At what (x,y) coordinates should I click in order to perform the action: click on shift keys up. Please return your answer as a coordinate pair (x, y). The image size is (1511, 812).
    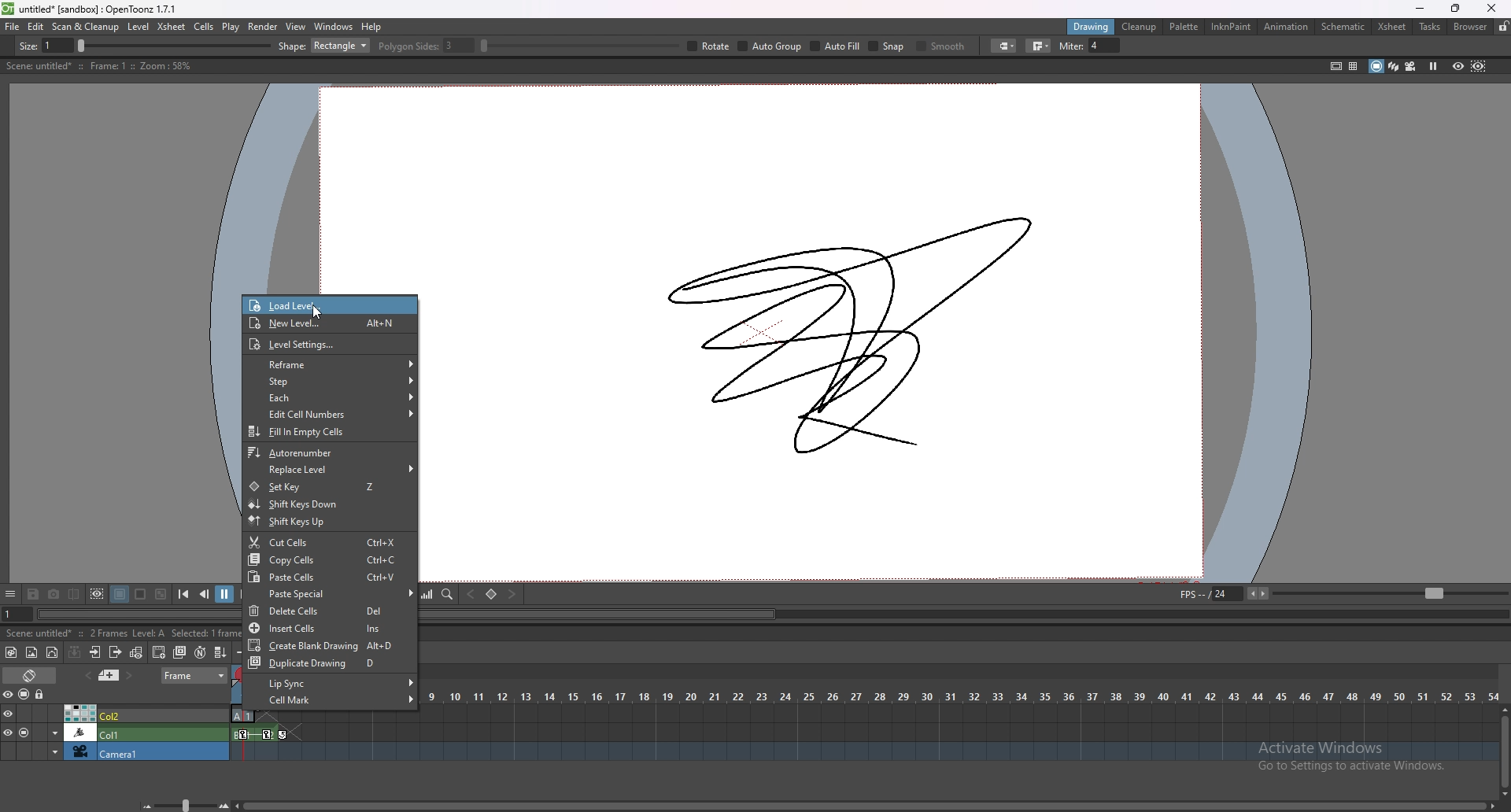
    Looking at the image, I should click on (328, 522).